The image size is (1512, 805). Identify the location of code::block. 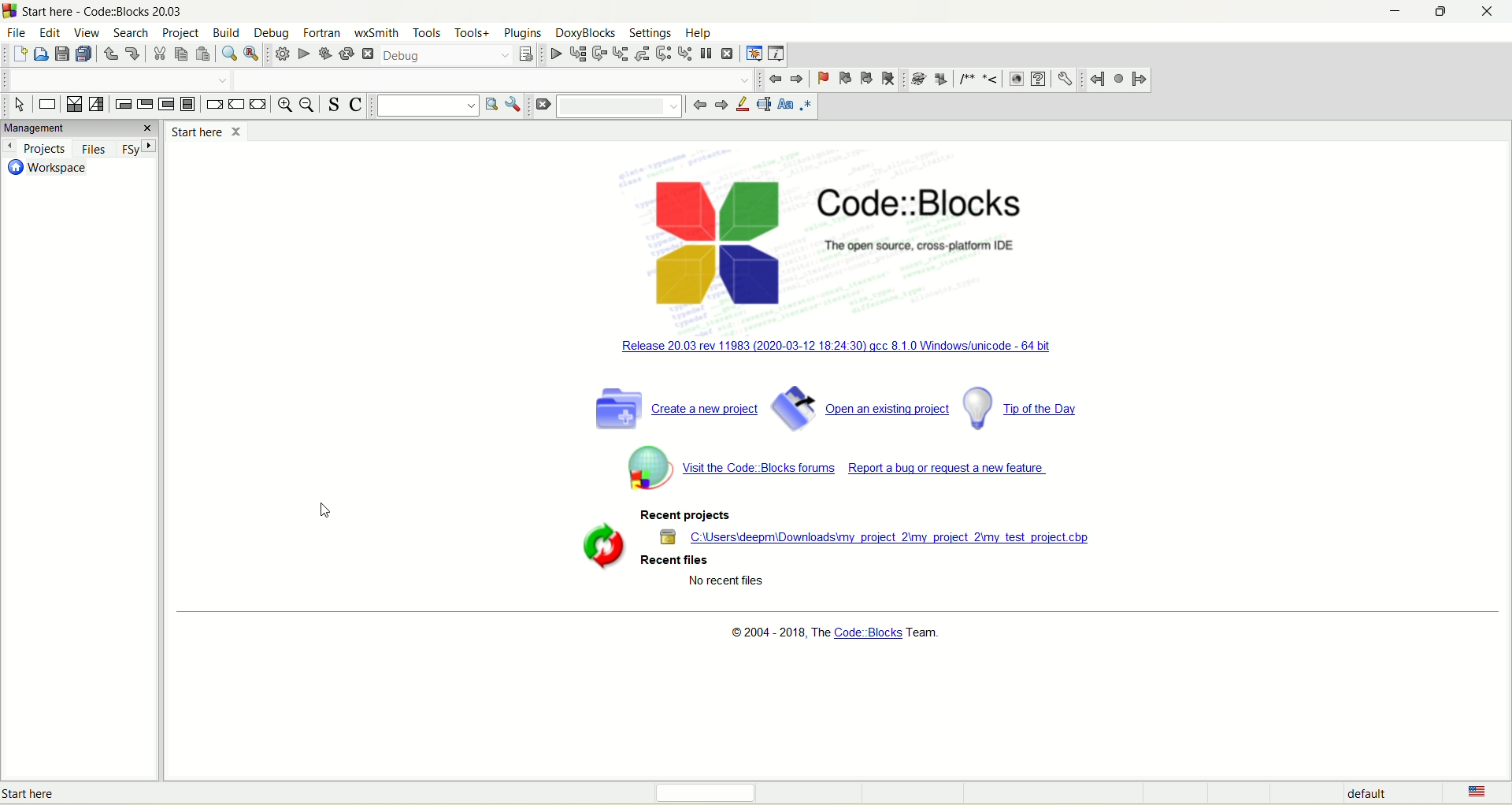
(105, 11).